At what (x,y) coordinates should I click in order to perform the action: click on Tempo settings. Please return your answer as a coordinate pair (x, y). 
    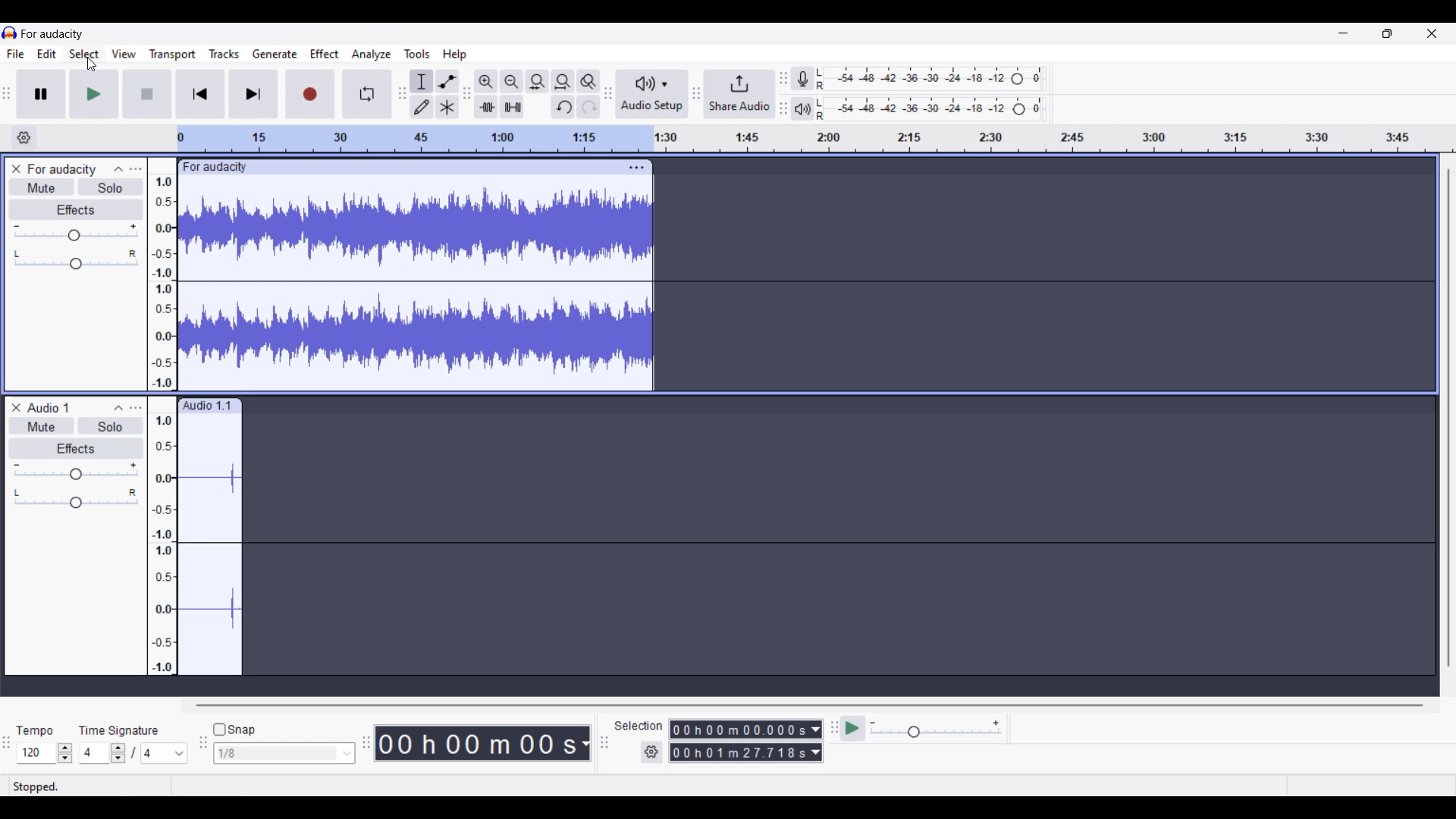
    Looking at the image, I should click on (45, 753).